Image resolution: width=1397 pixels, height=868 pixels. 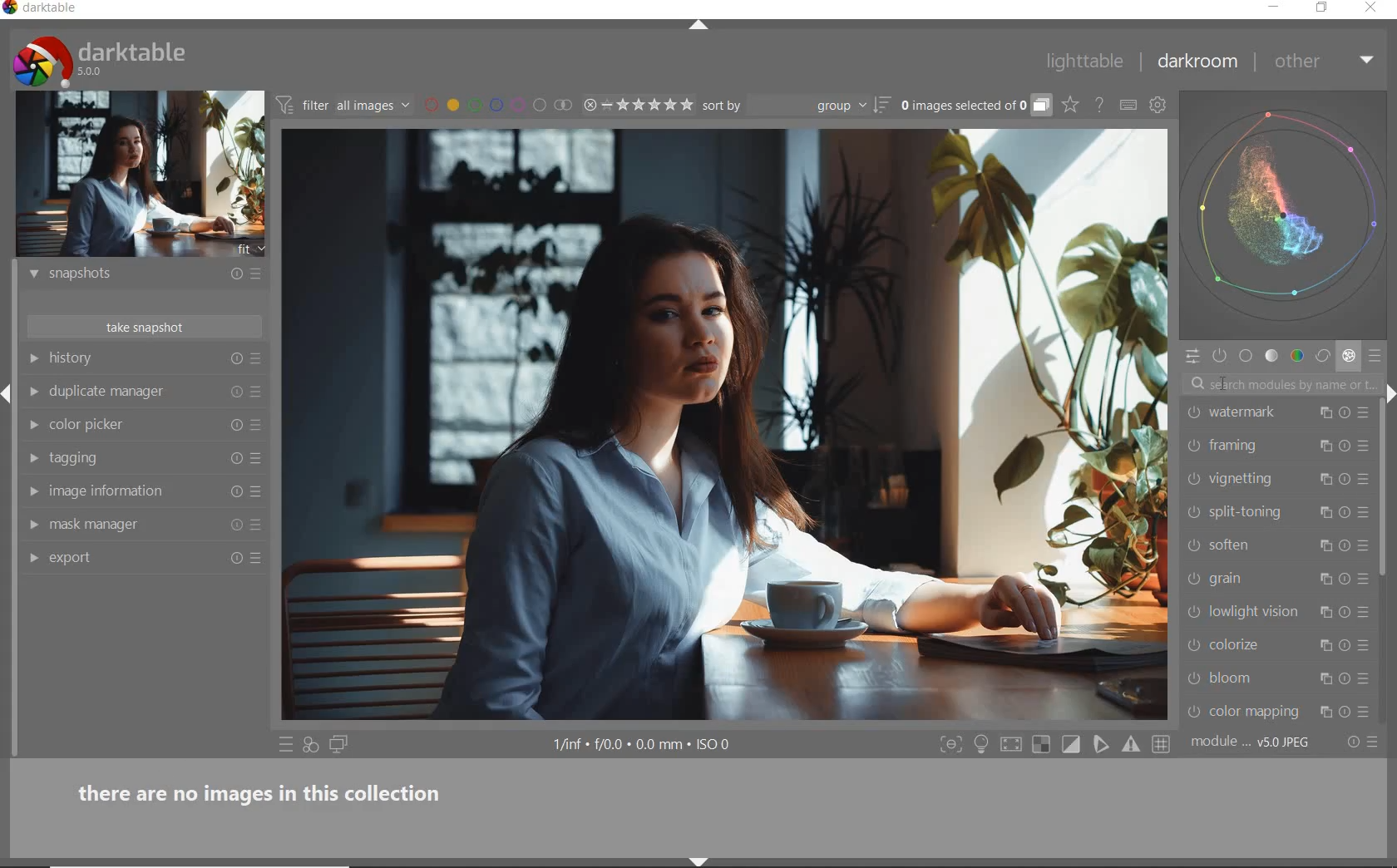 What do you see at coordinates (1328, 515) in the screenshot?
I see `multiple instance actions` at bounding box center [1328, 515].